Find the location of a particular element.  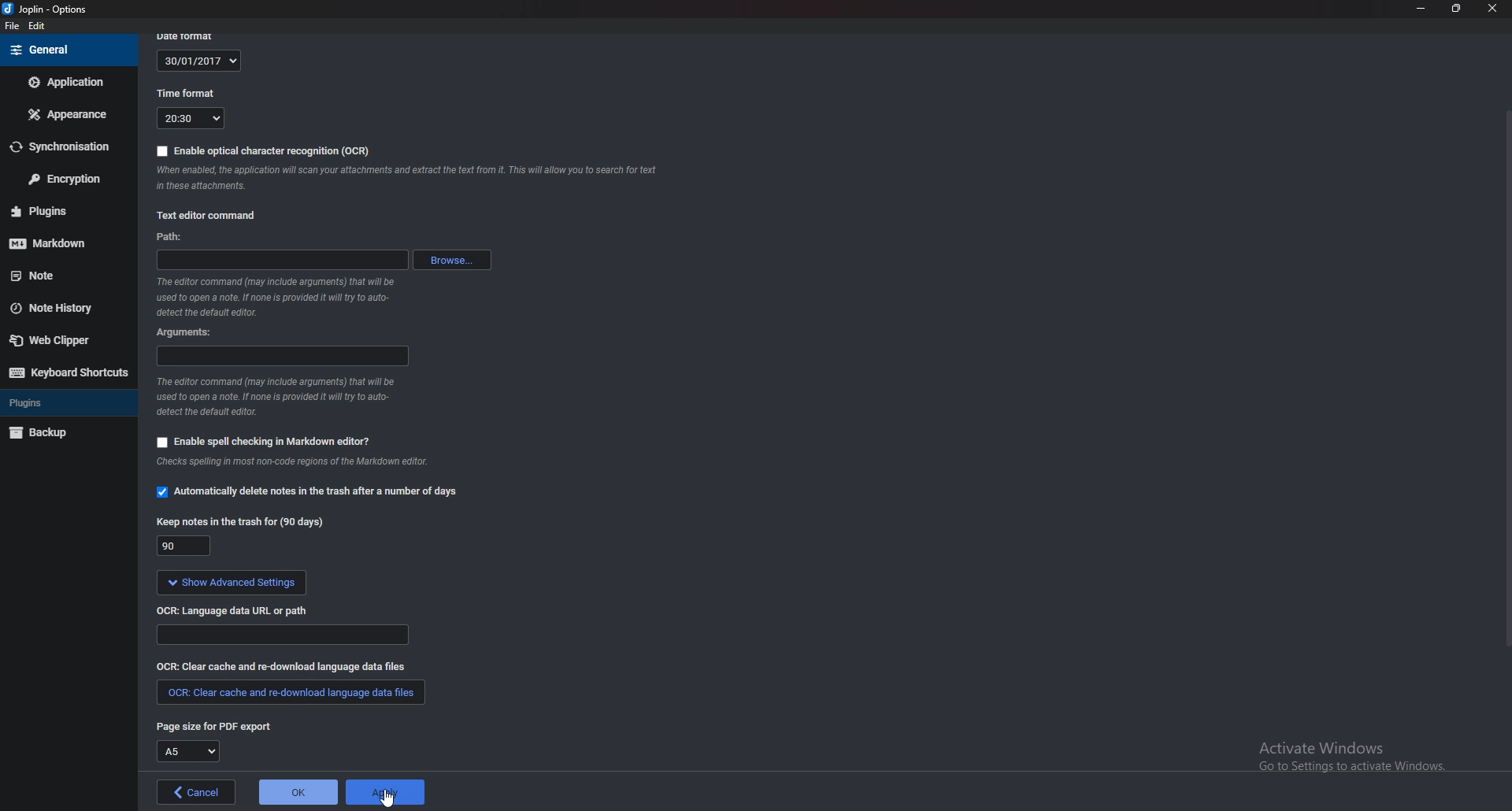

Language data is located at coordinates (280, 635).